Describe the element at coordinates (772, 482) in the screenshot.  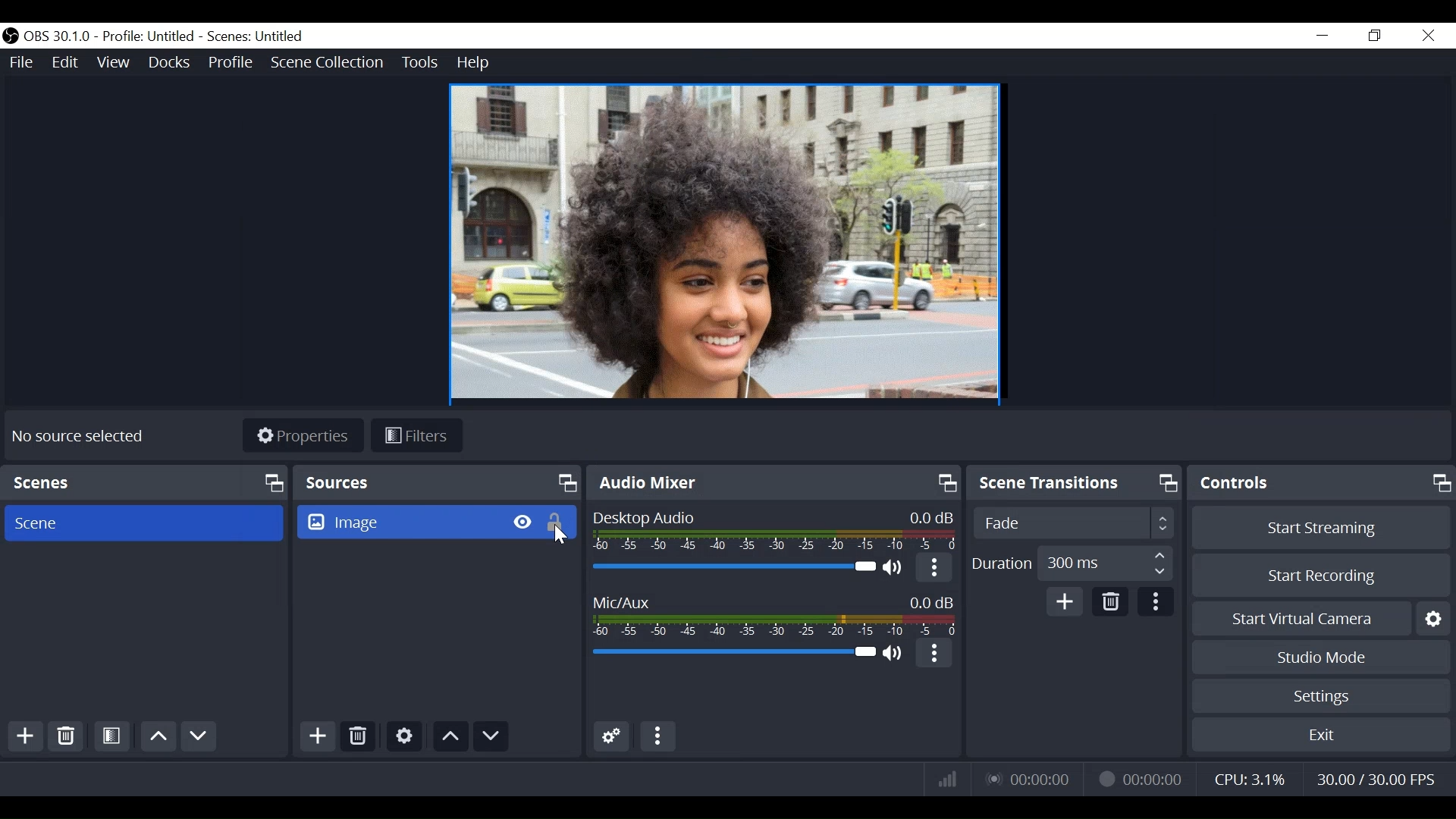
I see `Audio Mixer` at that location.